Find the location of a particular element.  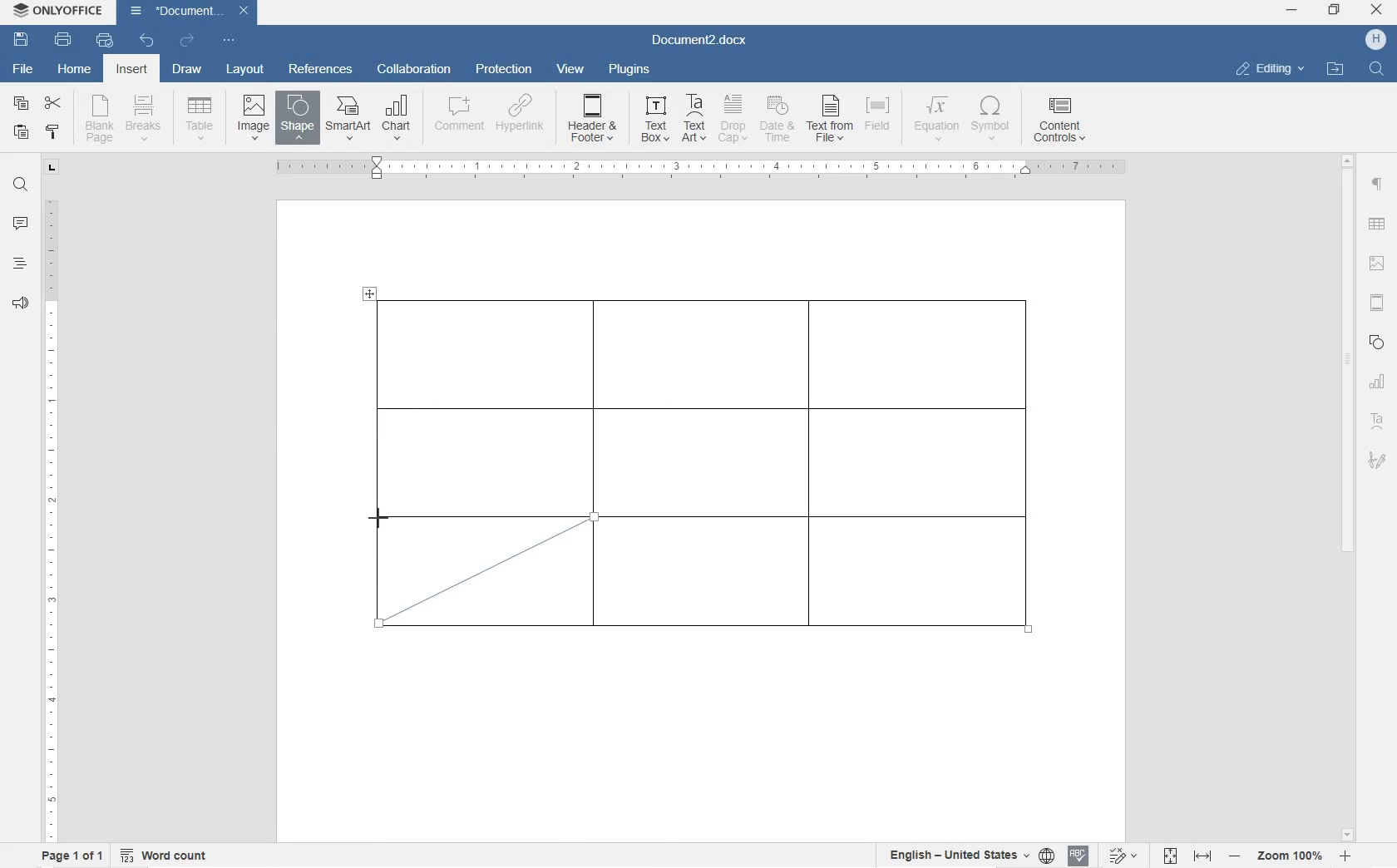

select text or document language is located at coordinates (969, 857).